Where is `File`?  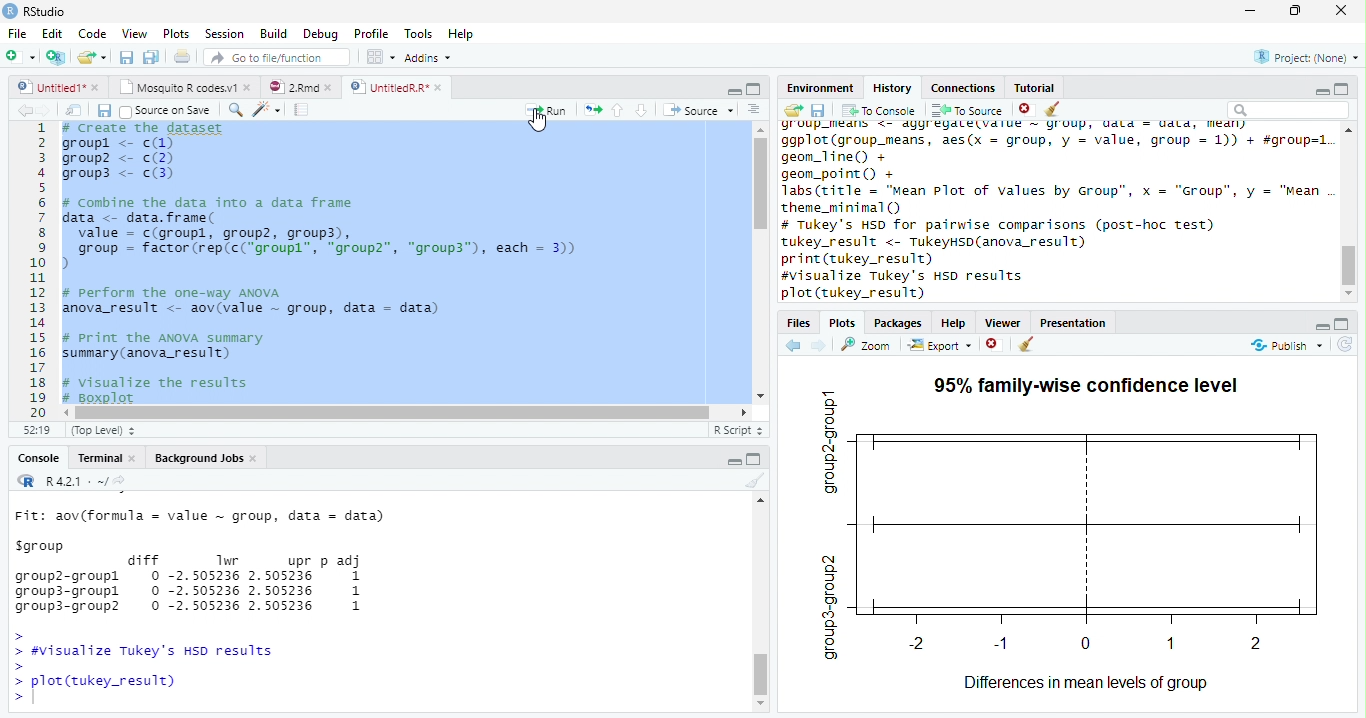
File is located at coordinates (15, 31).